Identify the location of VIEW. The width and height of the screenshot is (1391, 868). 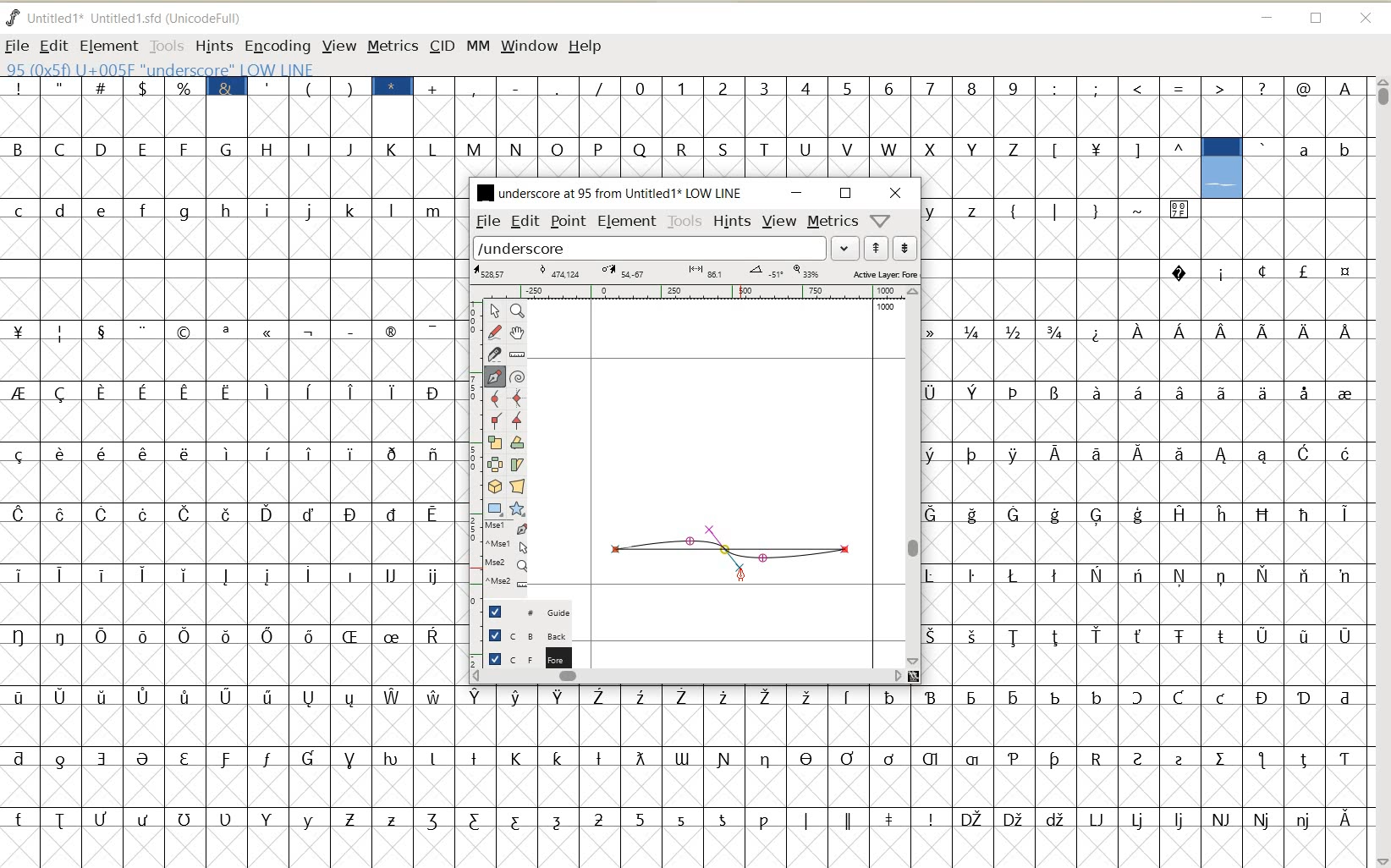
(336, 45).